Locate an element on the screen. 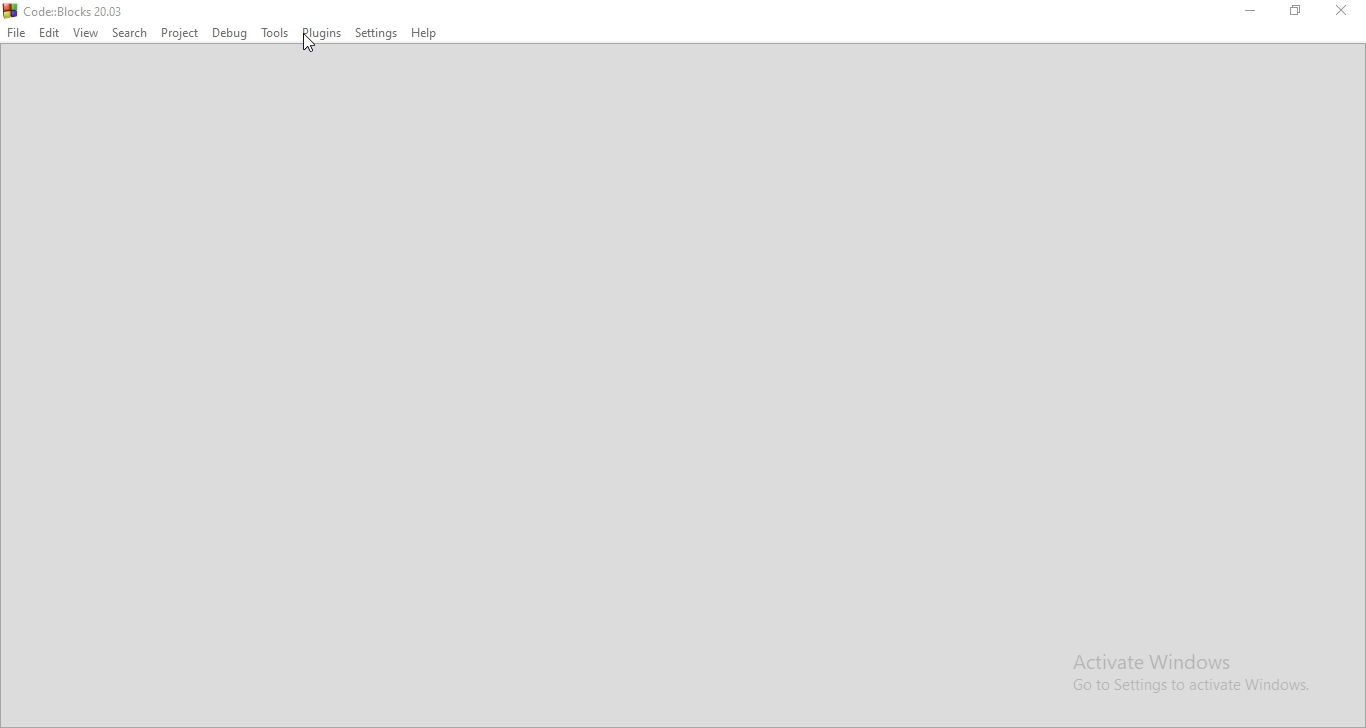  Activate Windows is located at coordinates (1182, 659).